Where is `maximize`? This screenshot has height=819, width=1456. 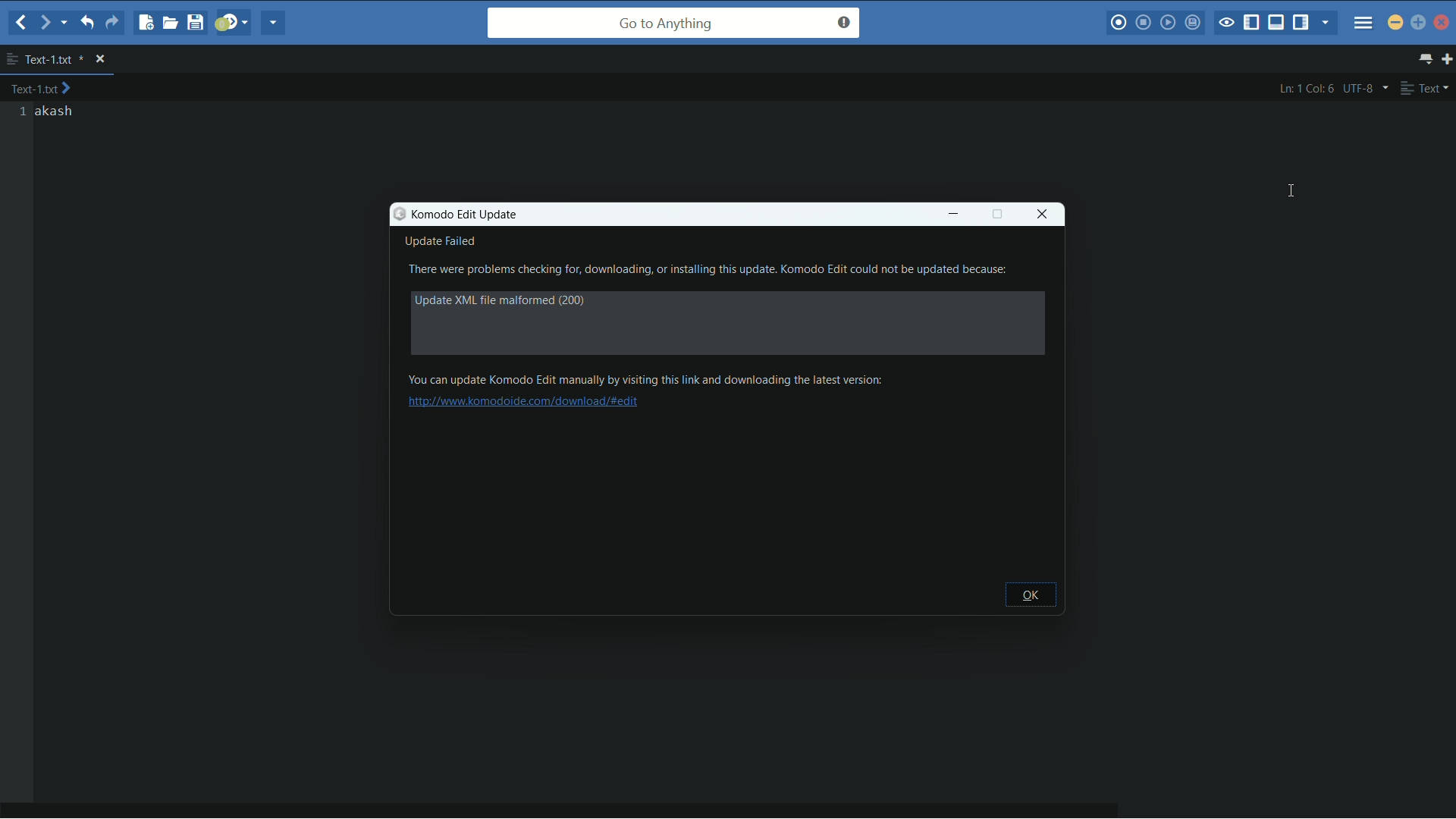
maximize is located at coordinates (1420, 24).